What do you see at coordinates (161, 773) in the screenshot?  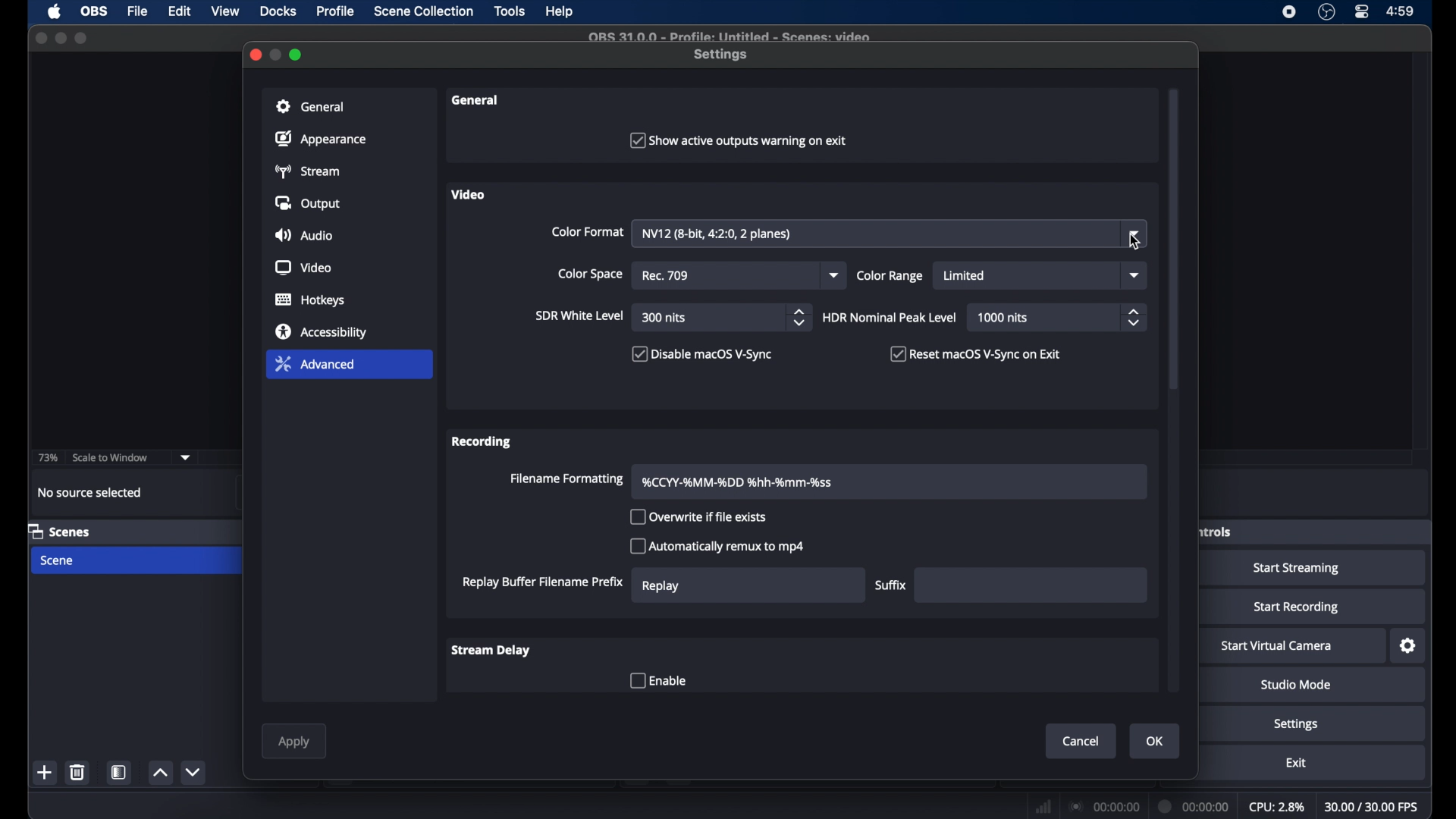 I see `increment` at bounding box center [161, 773].